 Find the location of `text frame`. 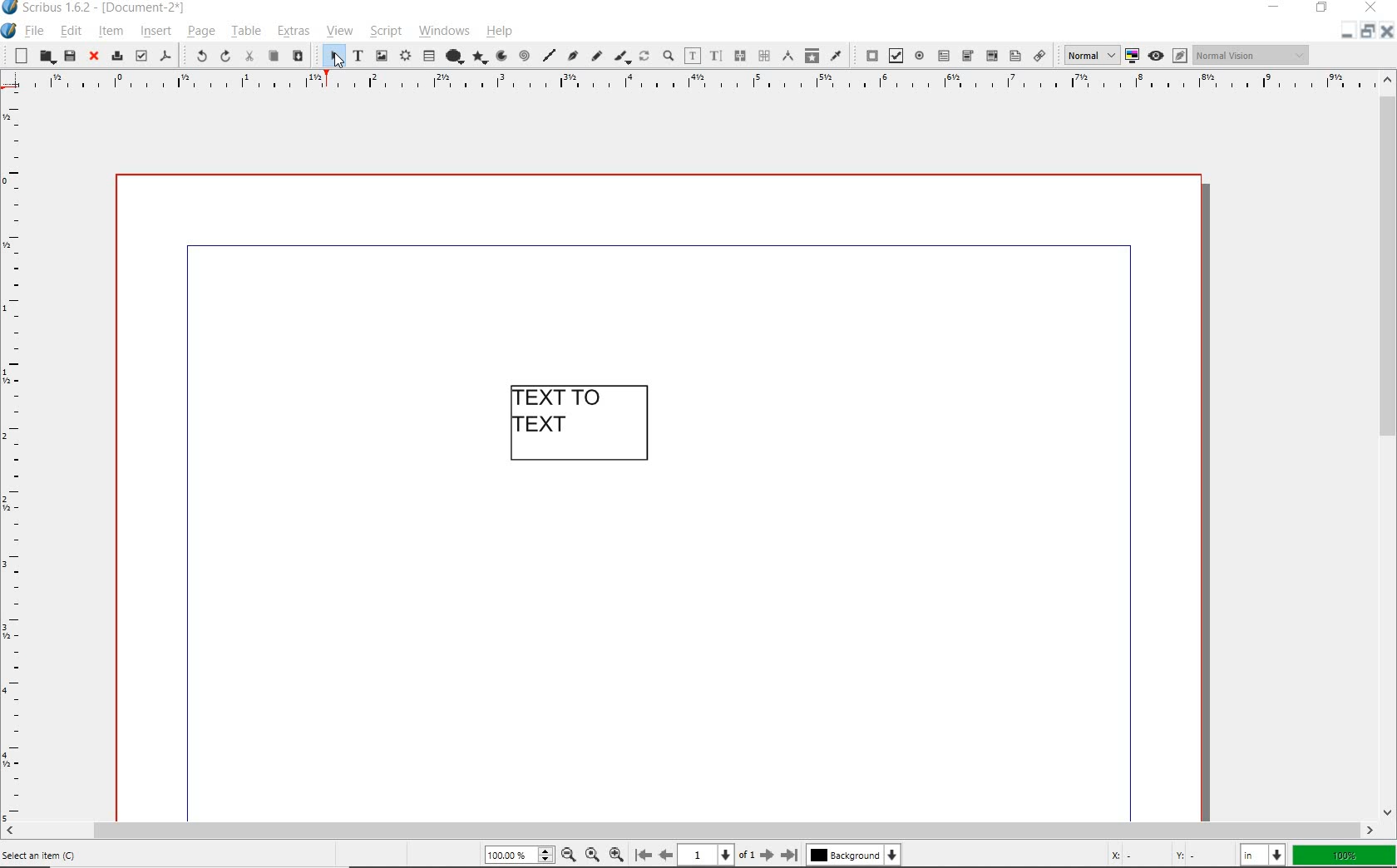

text frame is located at coordinates (583, 424).